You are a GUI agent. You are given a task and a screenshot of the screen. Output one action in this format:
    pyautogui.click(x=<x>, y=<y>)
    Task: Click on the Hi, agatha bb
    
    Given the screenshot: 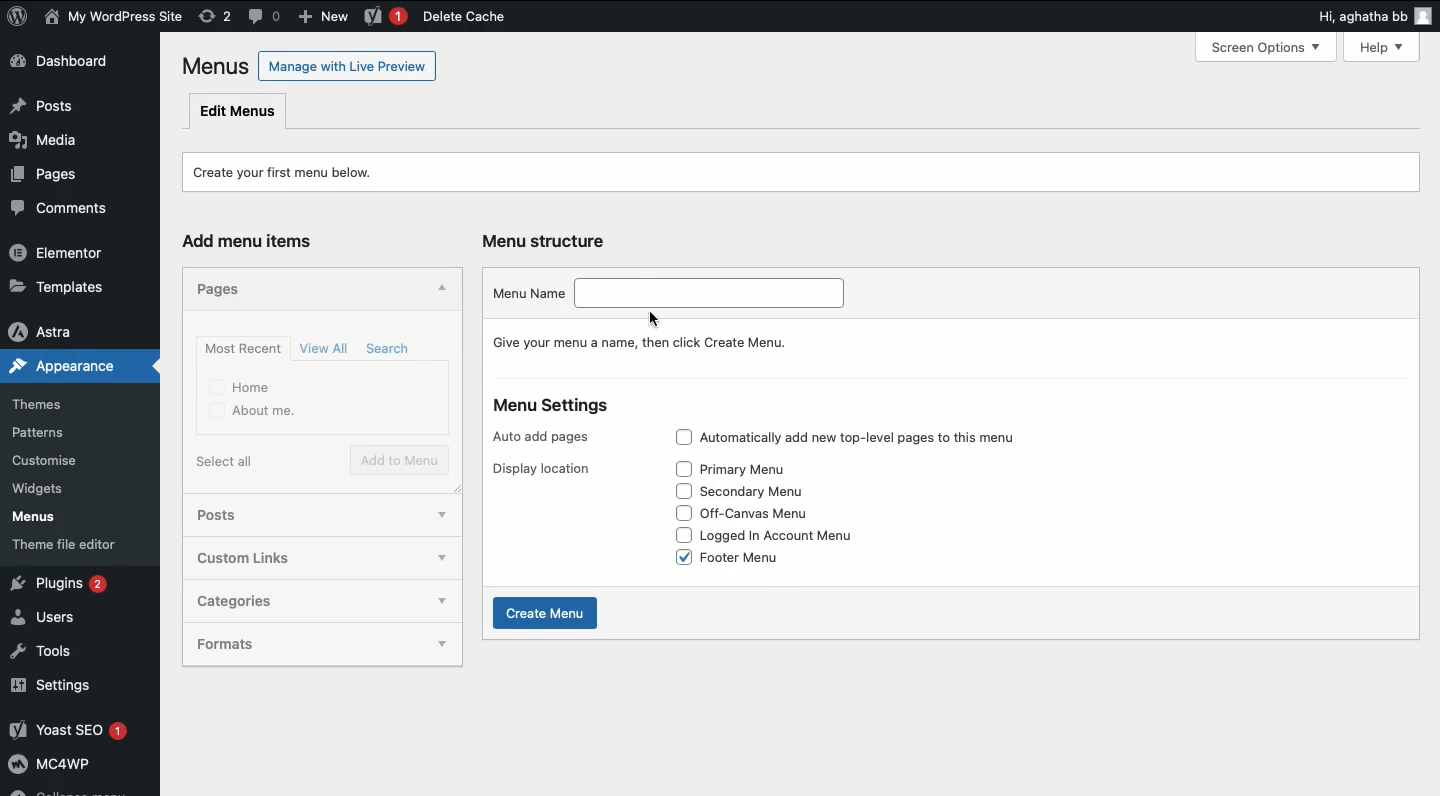 What is the action you would take?
    pyautogui.click(x=1358, y=19)
    